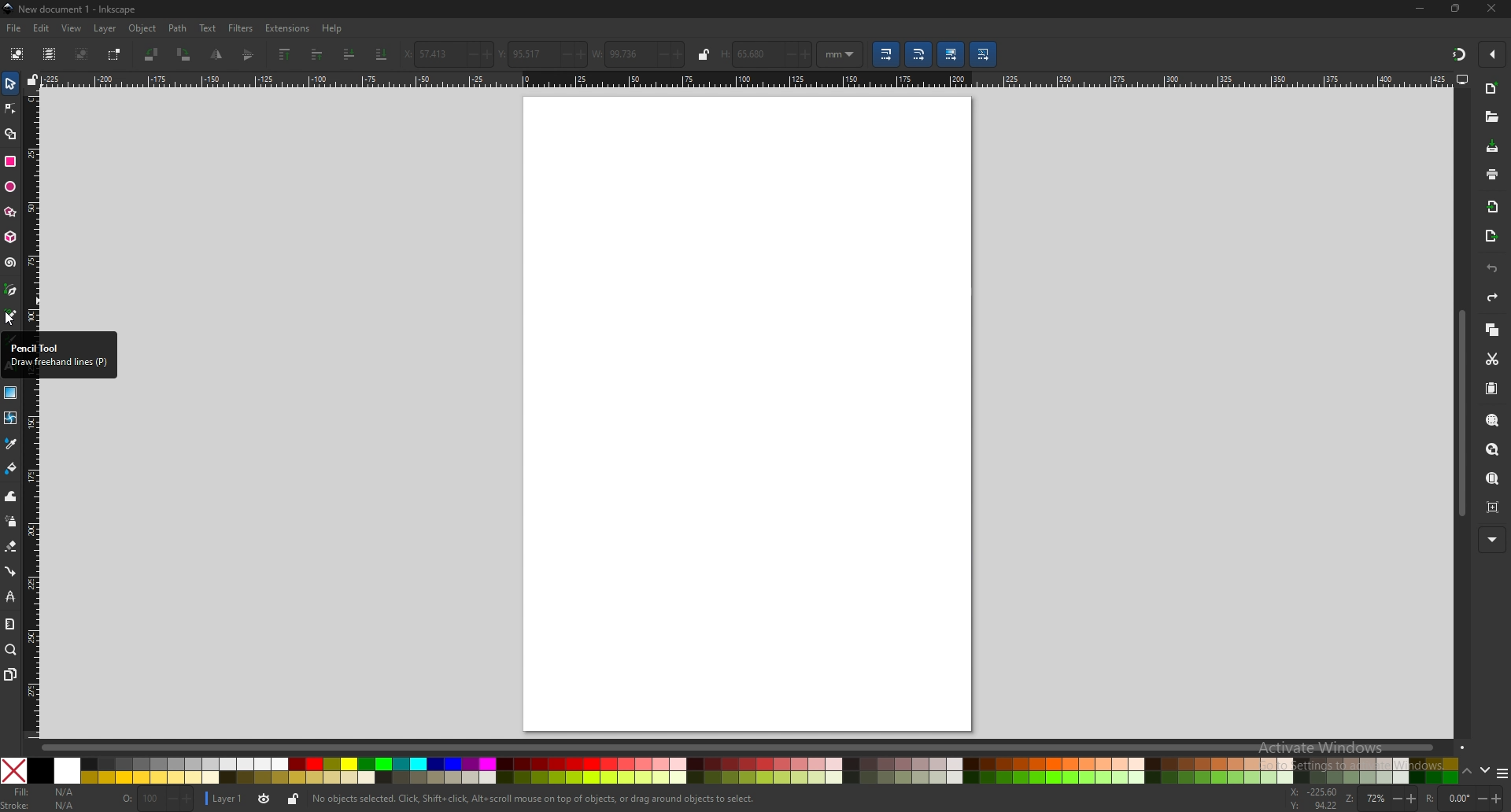 This screenshot has height=812, width=1511. I want to click on fill bucket, so click(10, 468).